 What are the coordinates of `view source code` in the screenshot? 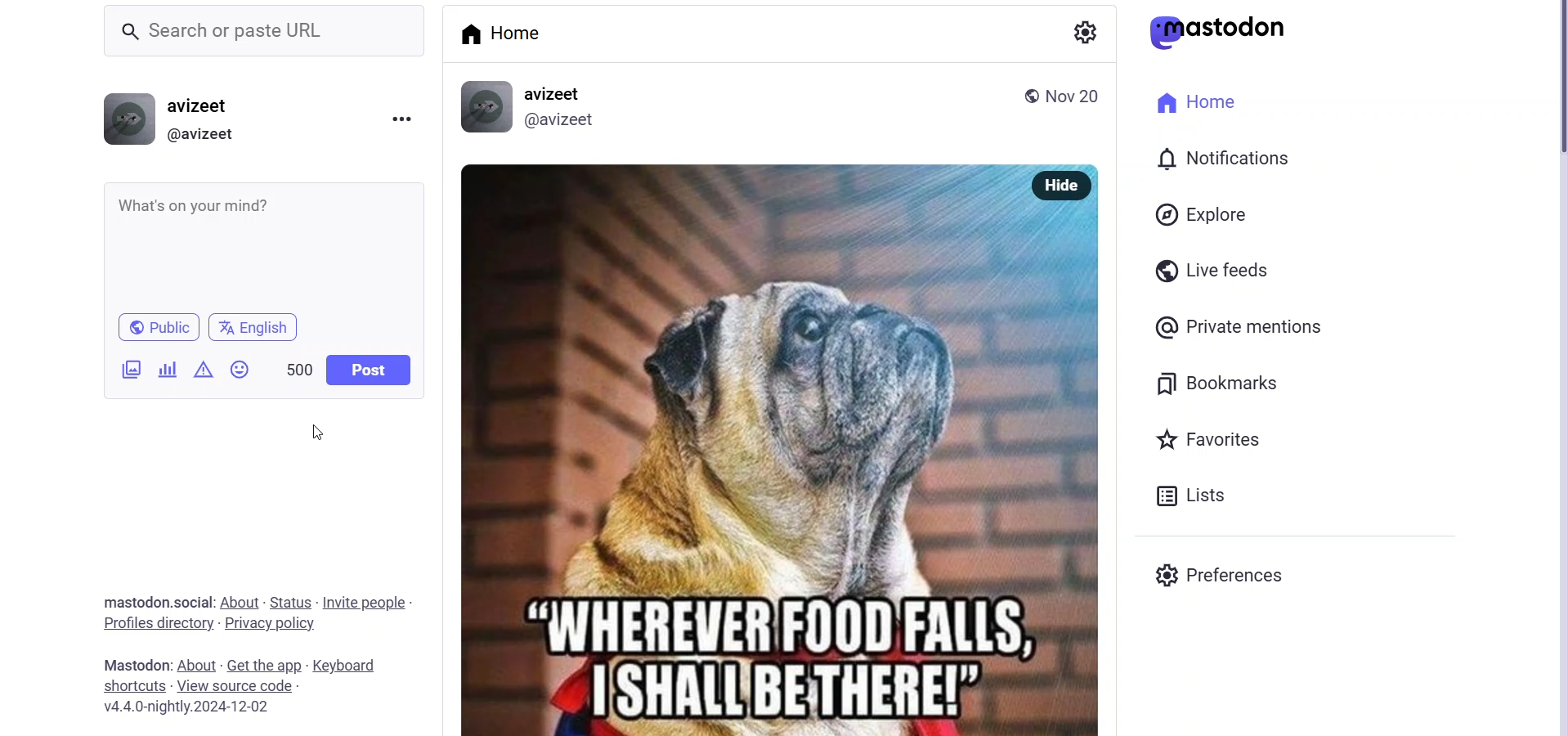 It's located at (240, 685).